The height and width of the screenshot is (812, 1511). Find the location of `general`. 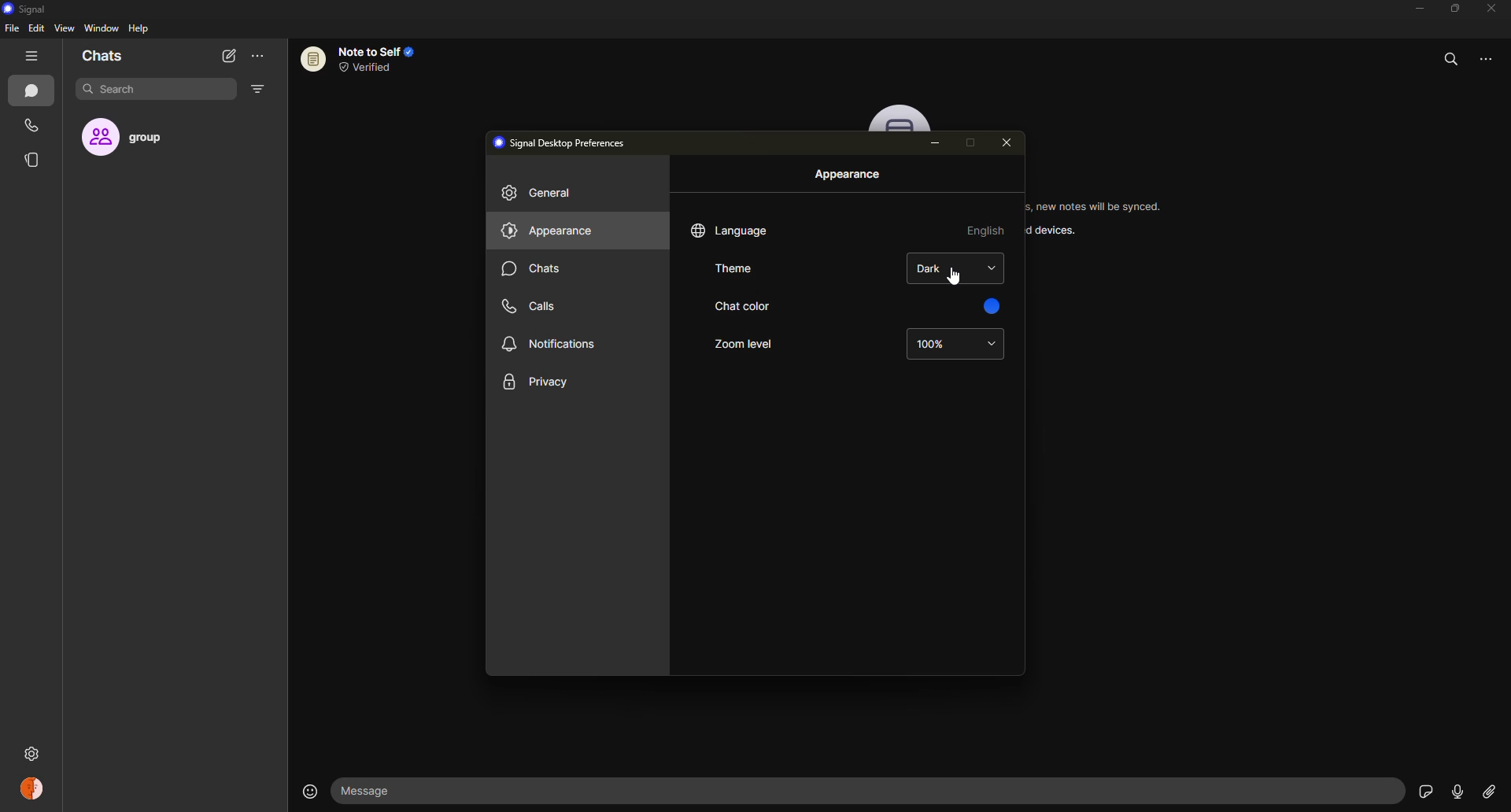

general is located at coordinates (543, 194).